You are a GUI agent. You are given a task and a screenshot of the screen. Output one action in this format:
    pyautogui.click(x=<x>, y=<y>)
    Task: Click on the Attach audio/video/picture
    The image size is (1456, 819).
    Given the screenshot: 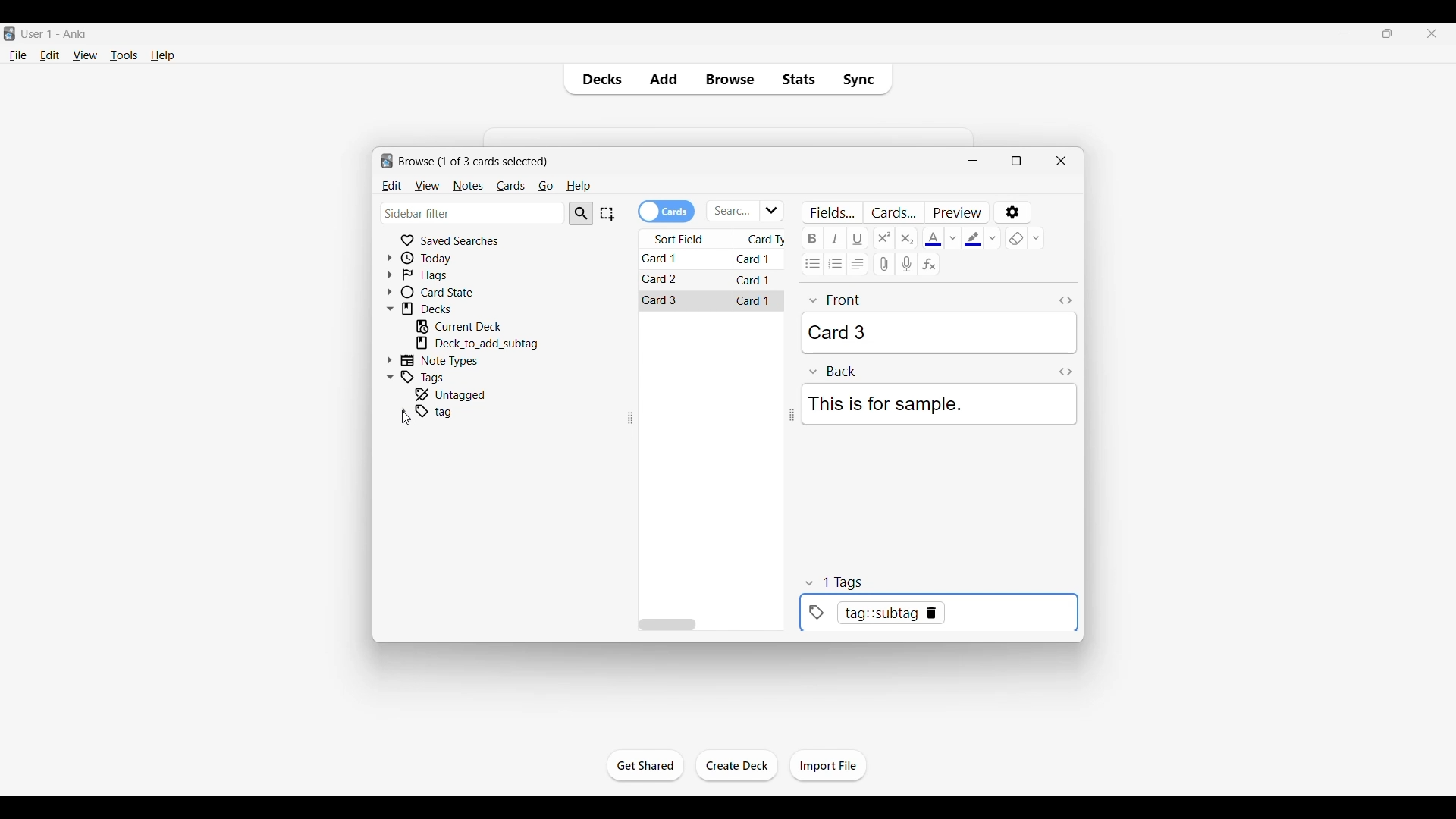 What is the action you would take?
    pyautogui.click(x=883, y=264)
    